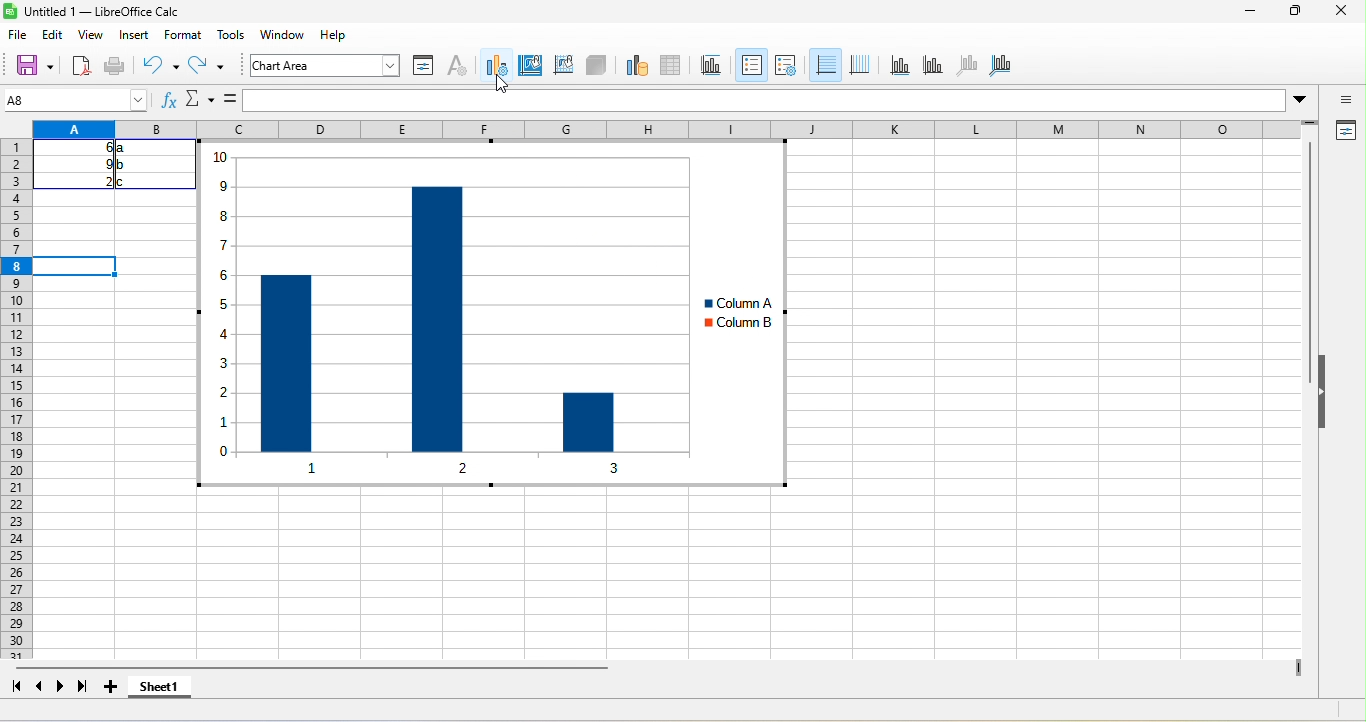 This screenshot has width=1366, height=722. I want to click on titles, so click(787, 66).